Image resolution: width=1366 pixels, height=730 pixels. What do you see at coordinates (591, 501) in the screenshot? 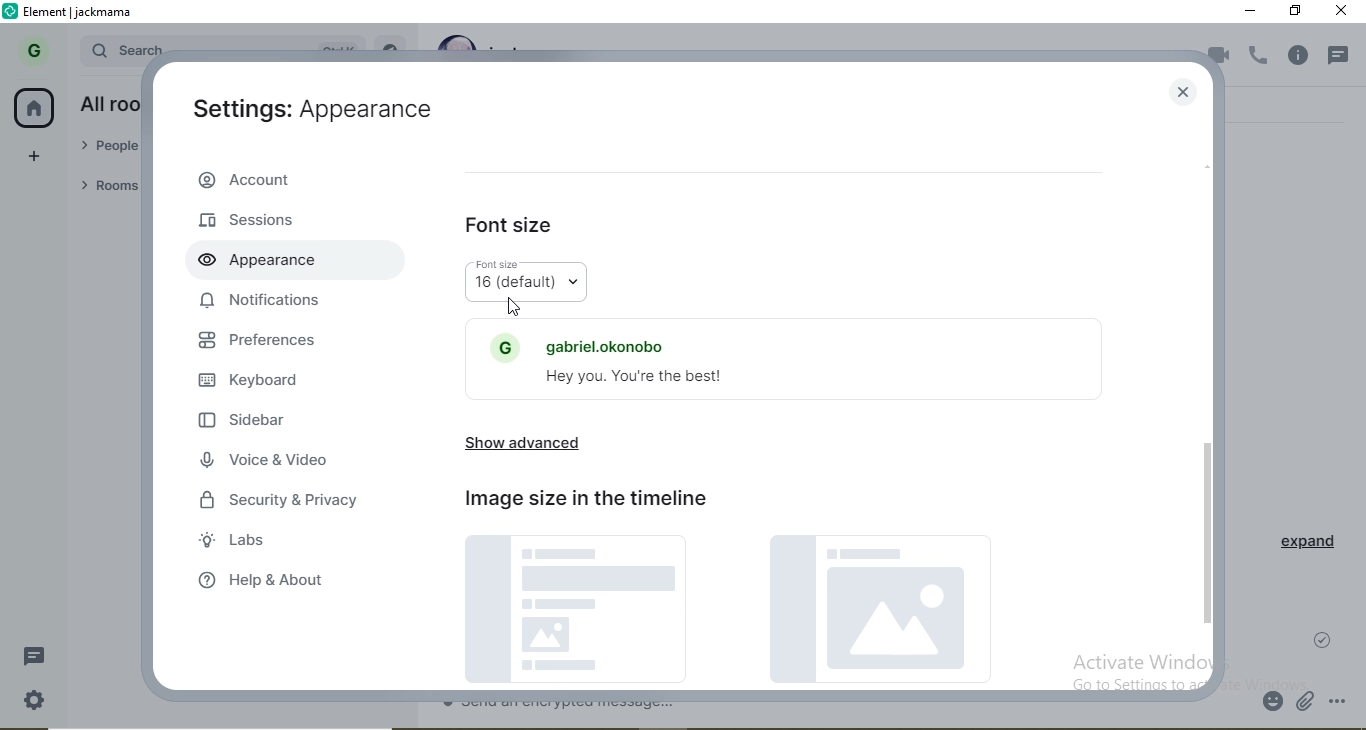
I see `image size in the timeline` at bounding box center [591, 501].